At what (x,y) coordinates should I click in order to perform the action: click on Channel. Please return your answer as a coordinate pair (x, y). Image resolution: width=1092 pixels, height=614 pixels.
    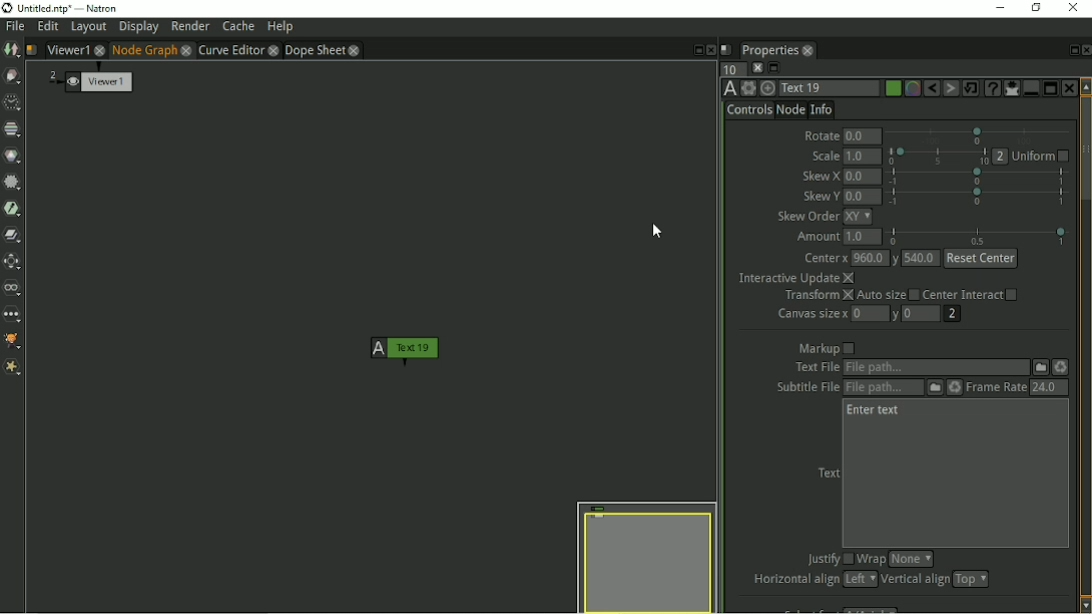
    Looking at the image, I should click on (13, 130).